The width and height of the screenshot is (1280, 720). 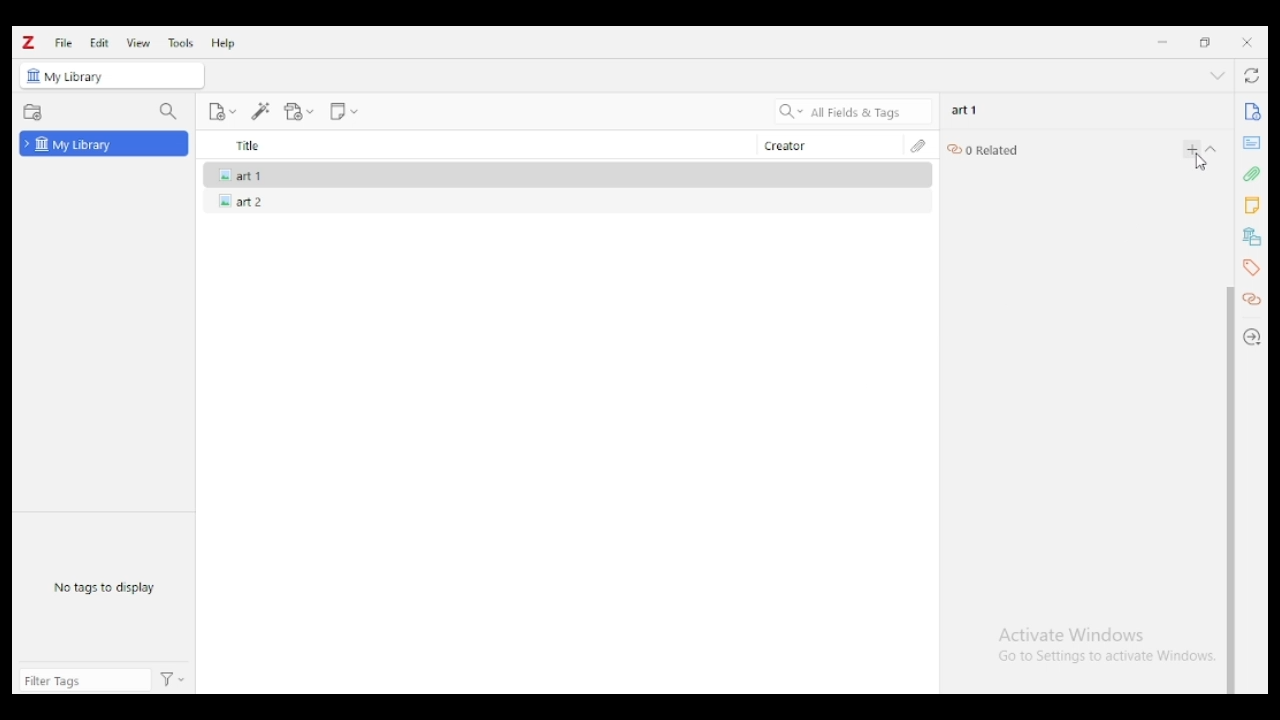 I want to click on cursor, so click(x=1201, y=164).